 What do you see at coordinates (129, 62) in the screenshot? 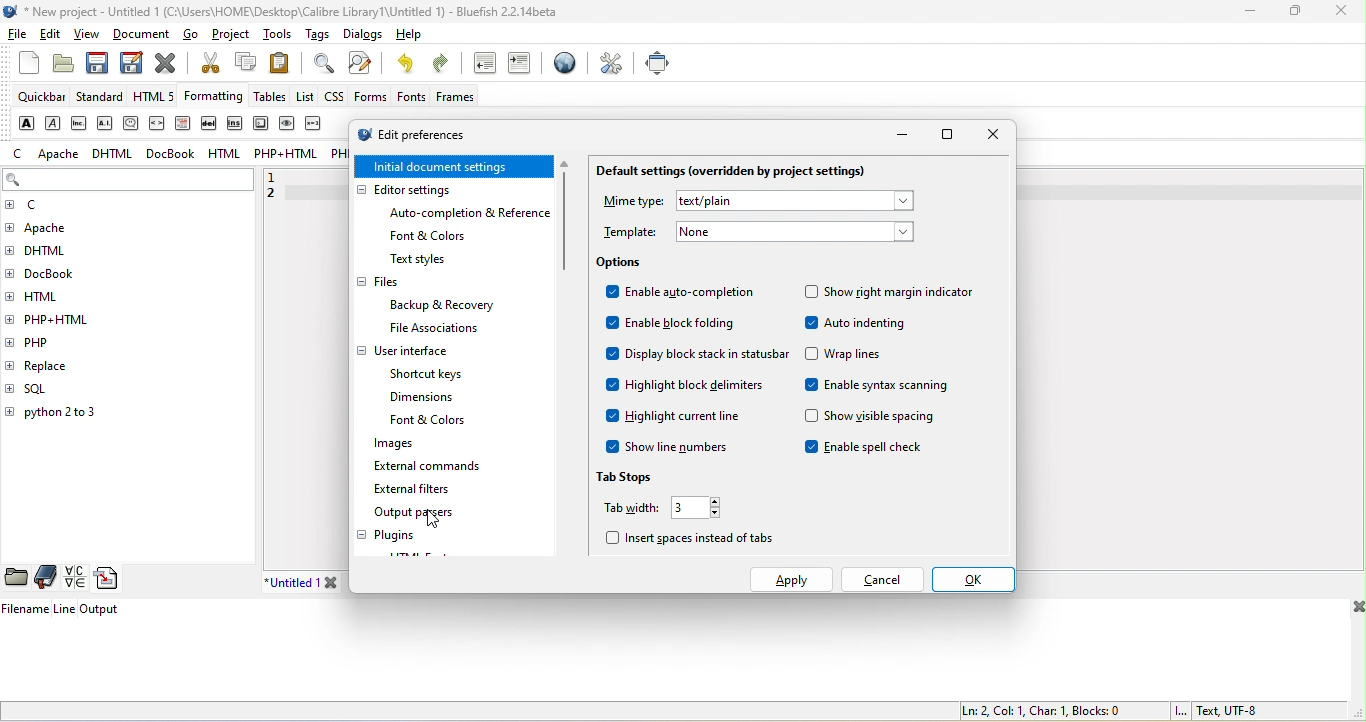
I see `save as` at bounding box center [129, 62].